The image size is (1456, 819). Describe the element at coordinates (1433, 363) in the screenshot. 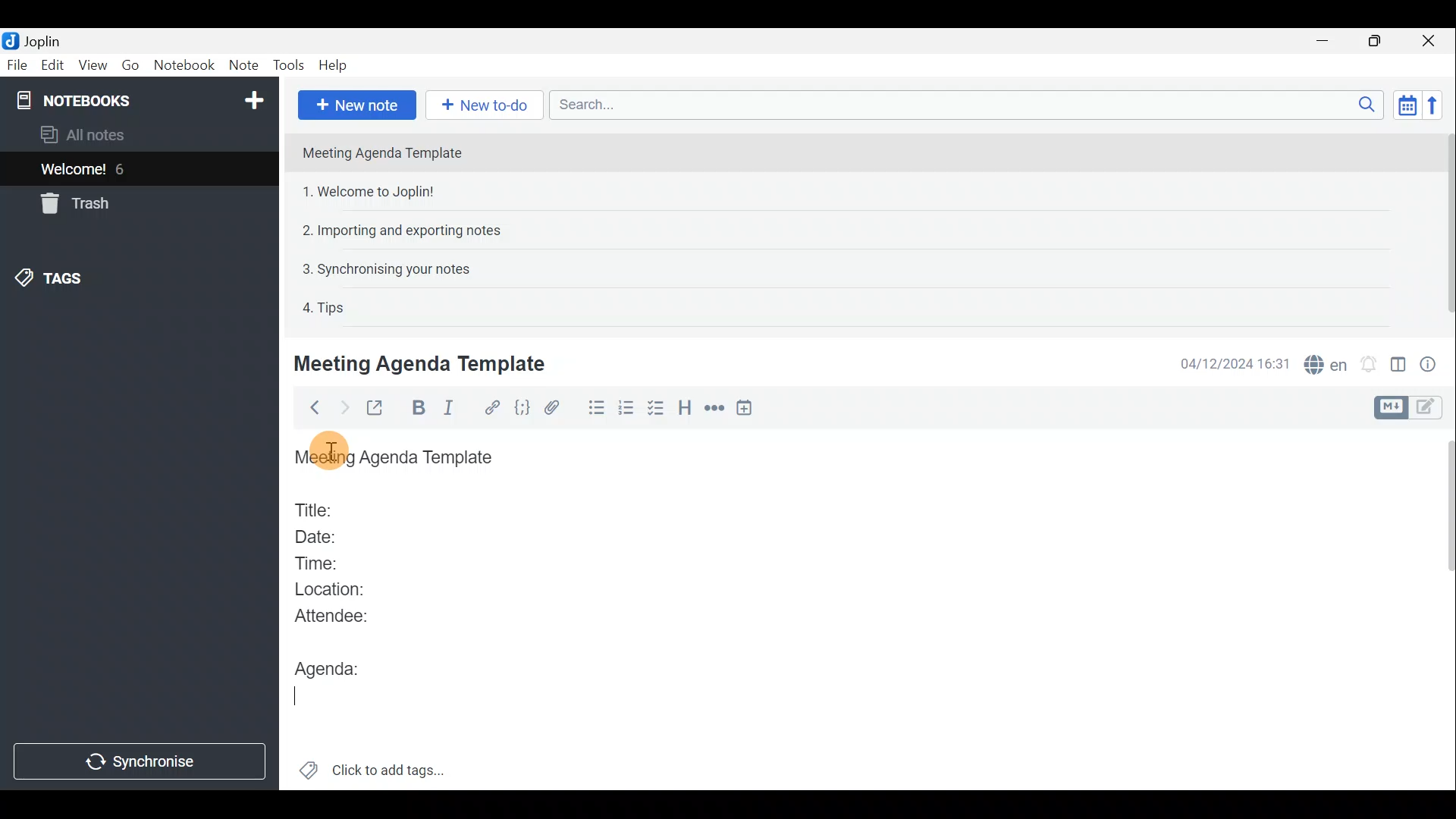

I see `Note properties` at that location.